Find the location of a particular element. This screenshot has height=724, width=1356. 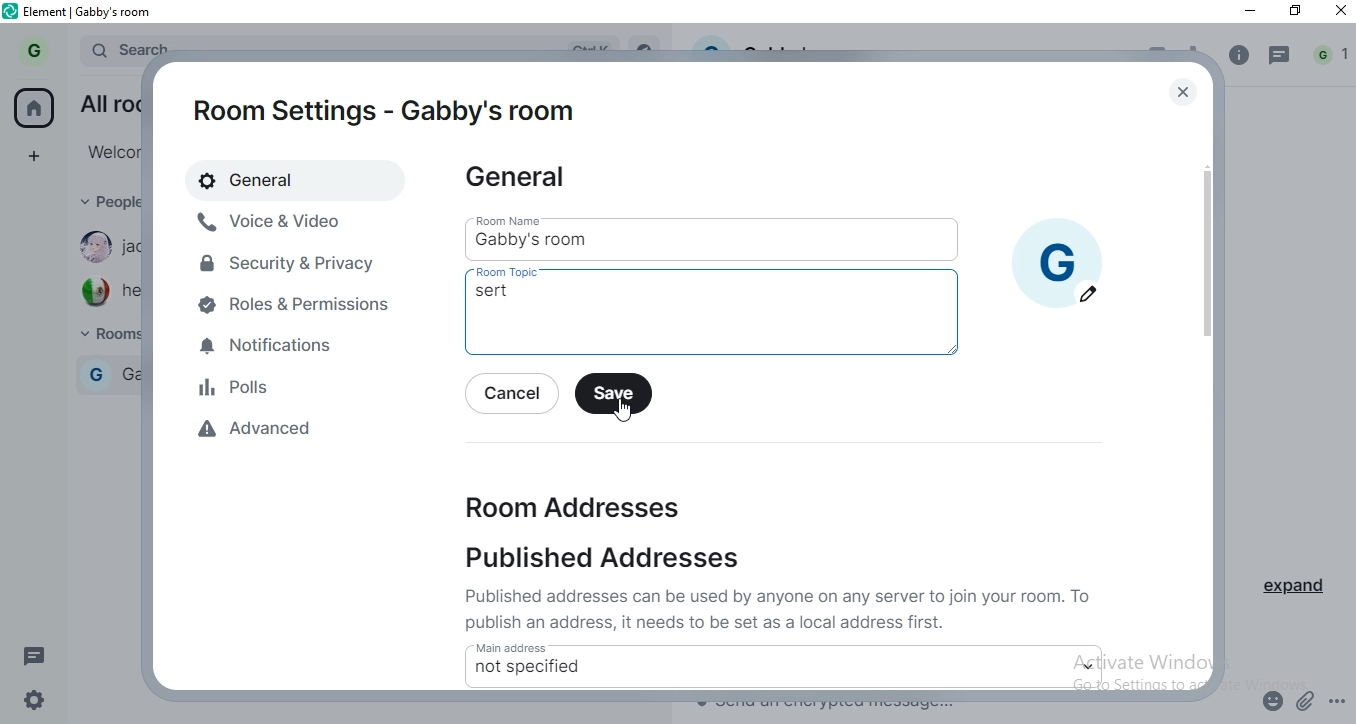

not specified is located at coordinates (529, 668).